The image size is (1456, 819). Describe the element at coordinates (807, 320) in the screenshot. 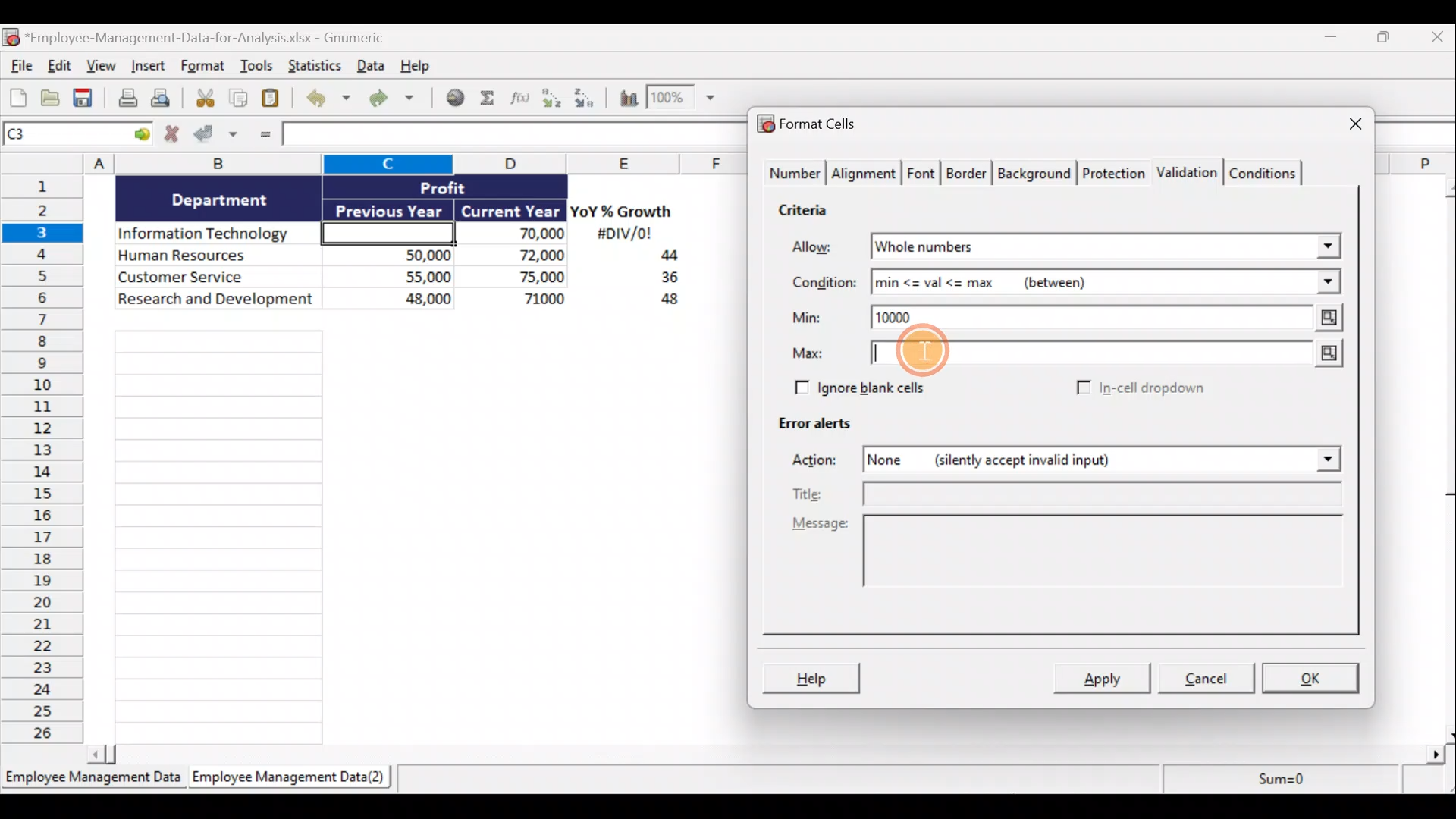

I see `Min:` at that location.